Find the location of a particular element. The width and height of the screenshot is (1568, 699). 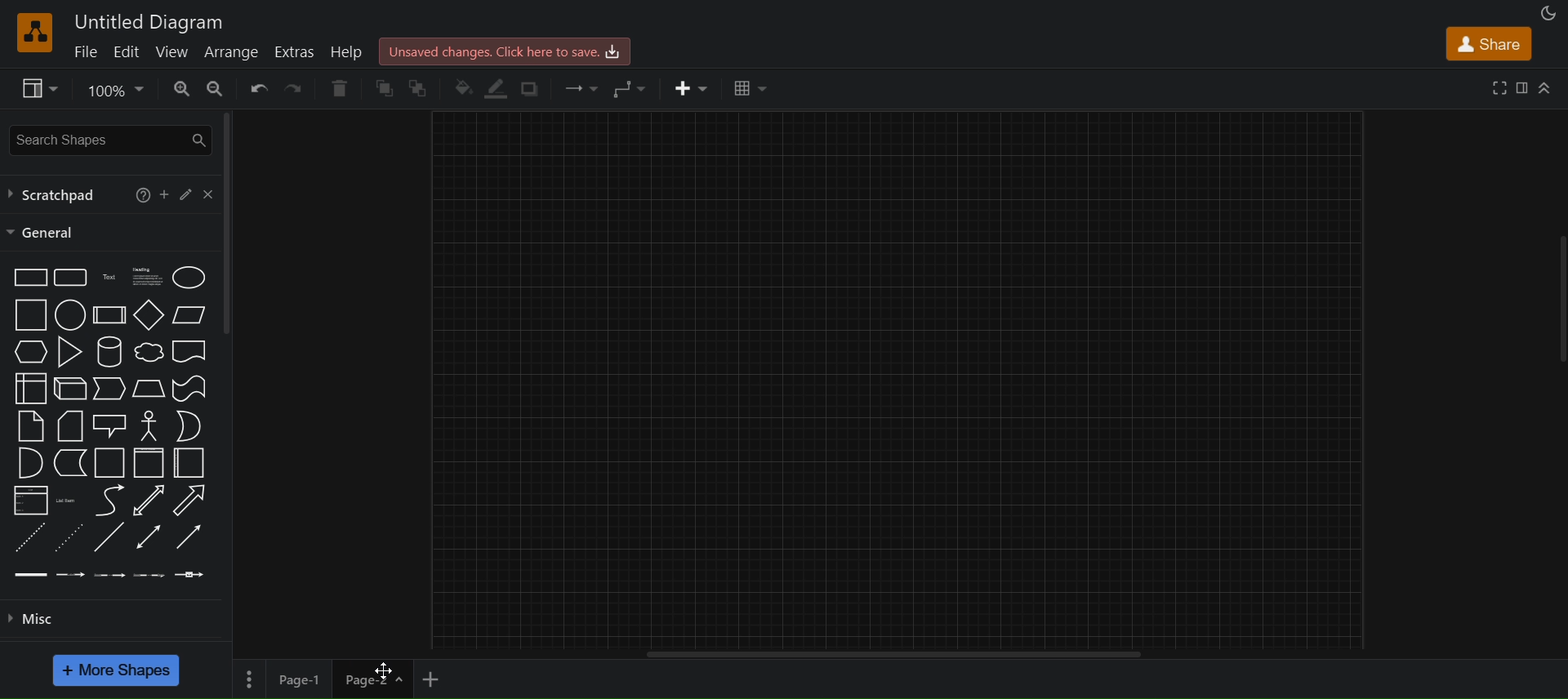

rectsngle is located at coordinates (29, 278).